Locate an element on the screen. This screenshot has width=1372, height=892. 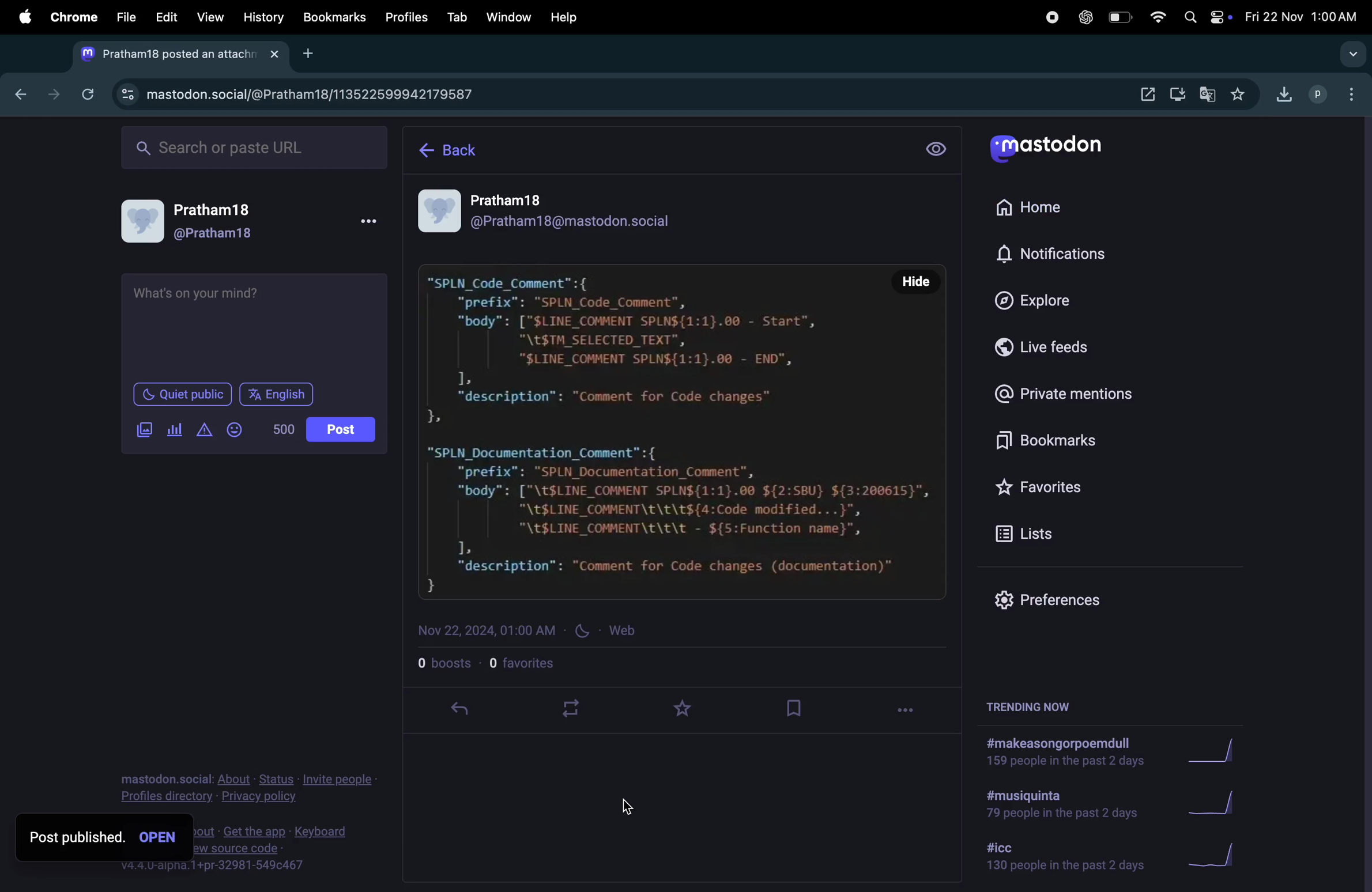
translate is located at coordinates (1208, 93).